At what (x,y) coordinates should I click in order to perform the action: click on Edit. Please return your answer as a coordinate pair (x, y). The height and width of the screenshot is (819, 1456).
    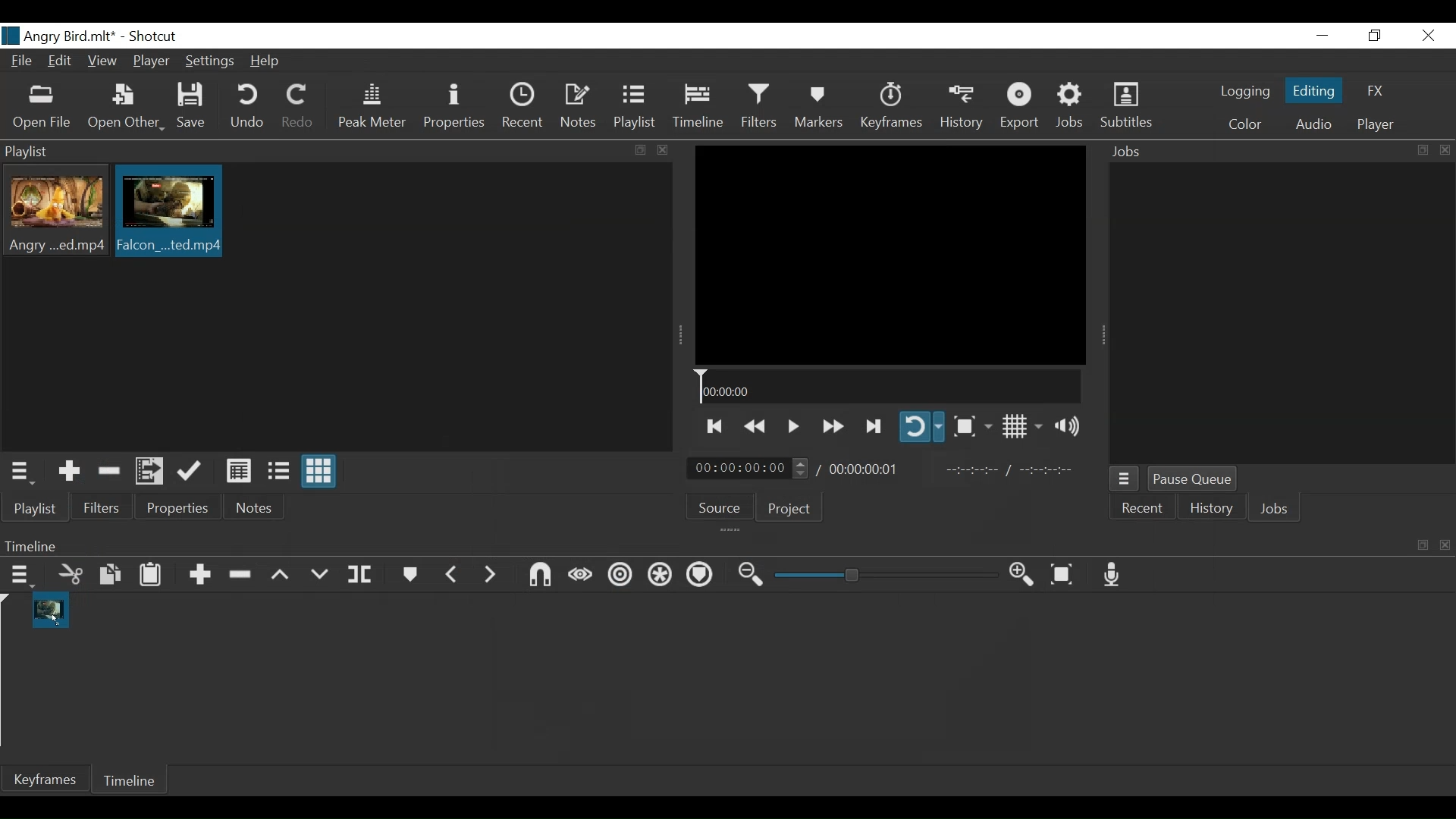
    Looking at the image, I should click on (62, 62).